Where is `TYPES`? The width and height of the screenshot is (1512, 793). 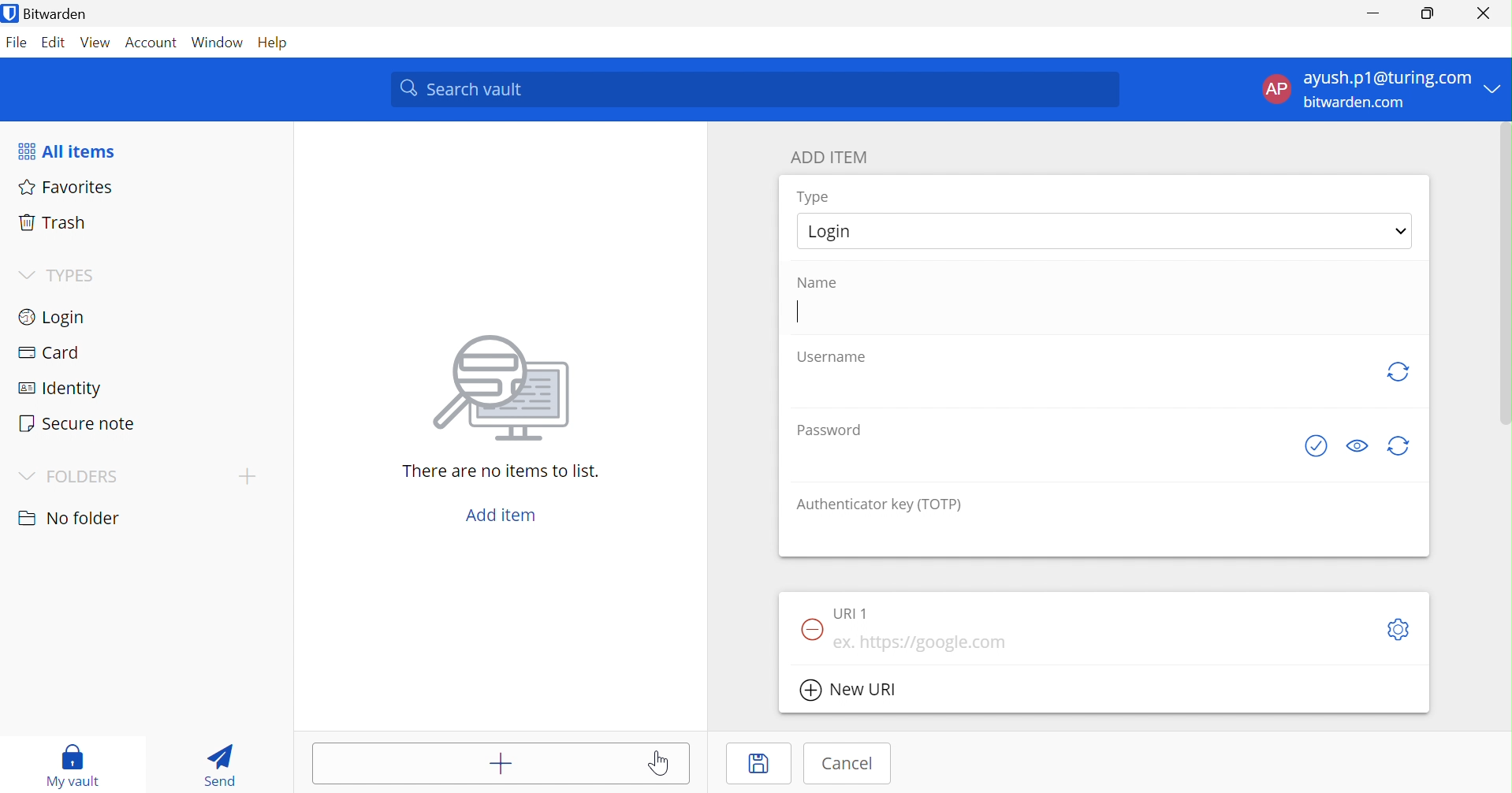
TYPES is located at coordinates (76, 275).